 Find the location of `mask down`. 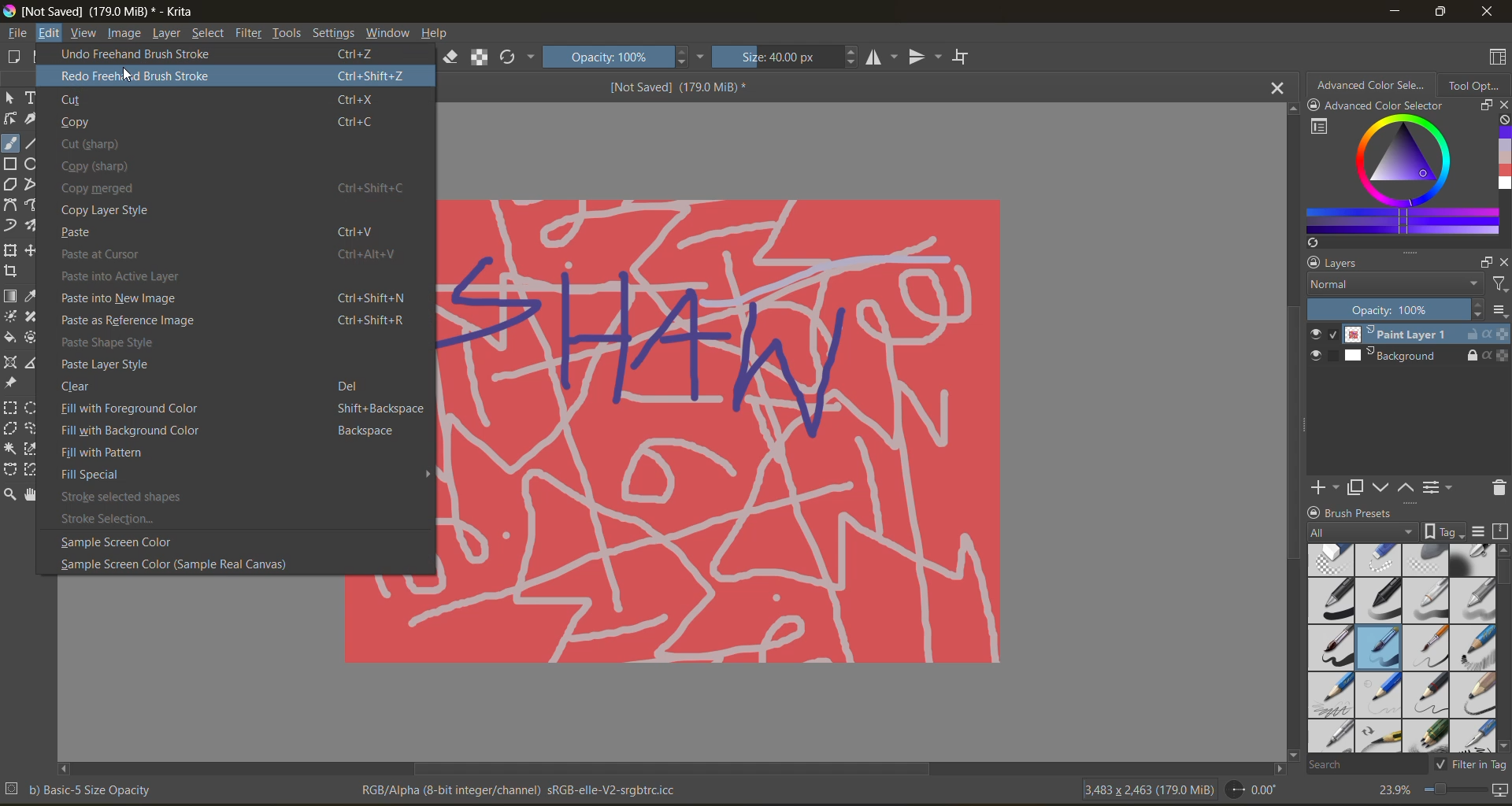

mask down is located at coordinates (1384, 487).